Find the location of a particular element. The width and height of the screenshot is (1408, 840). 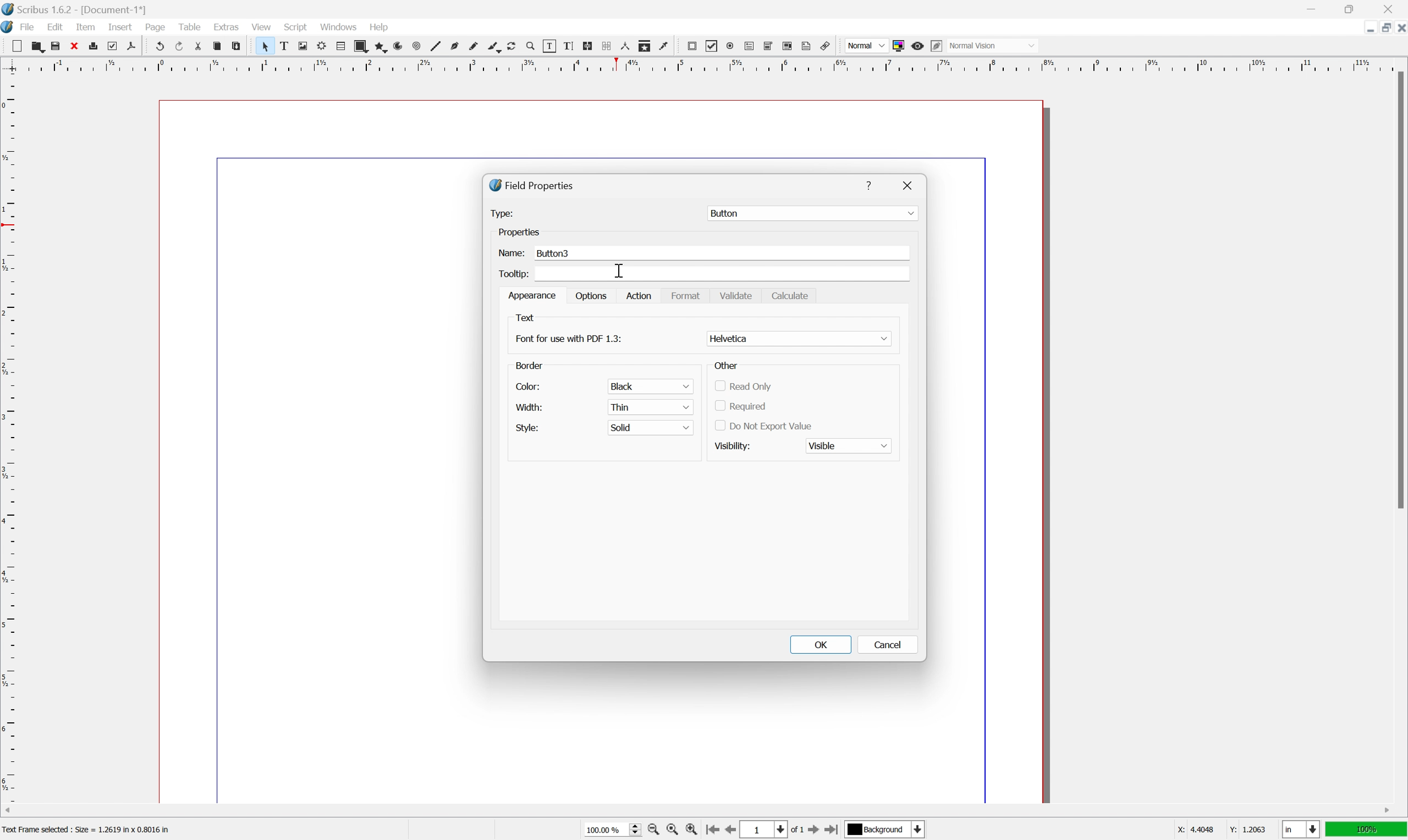

Action is located at coordinates (640, 295).